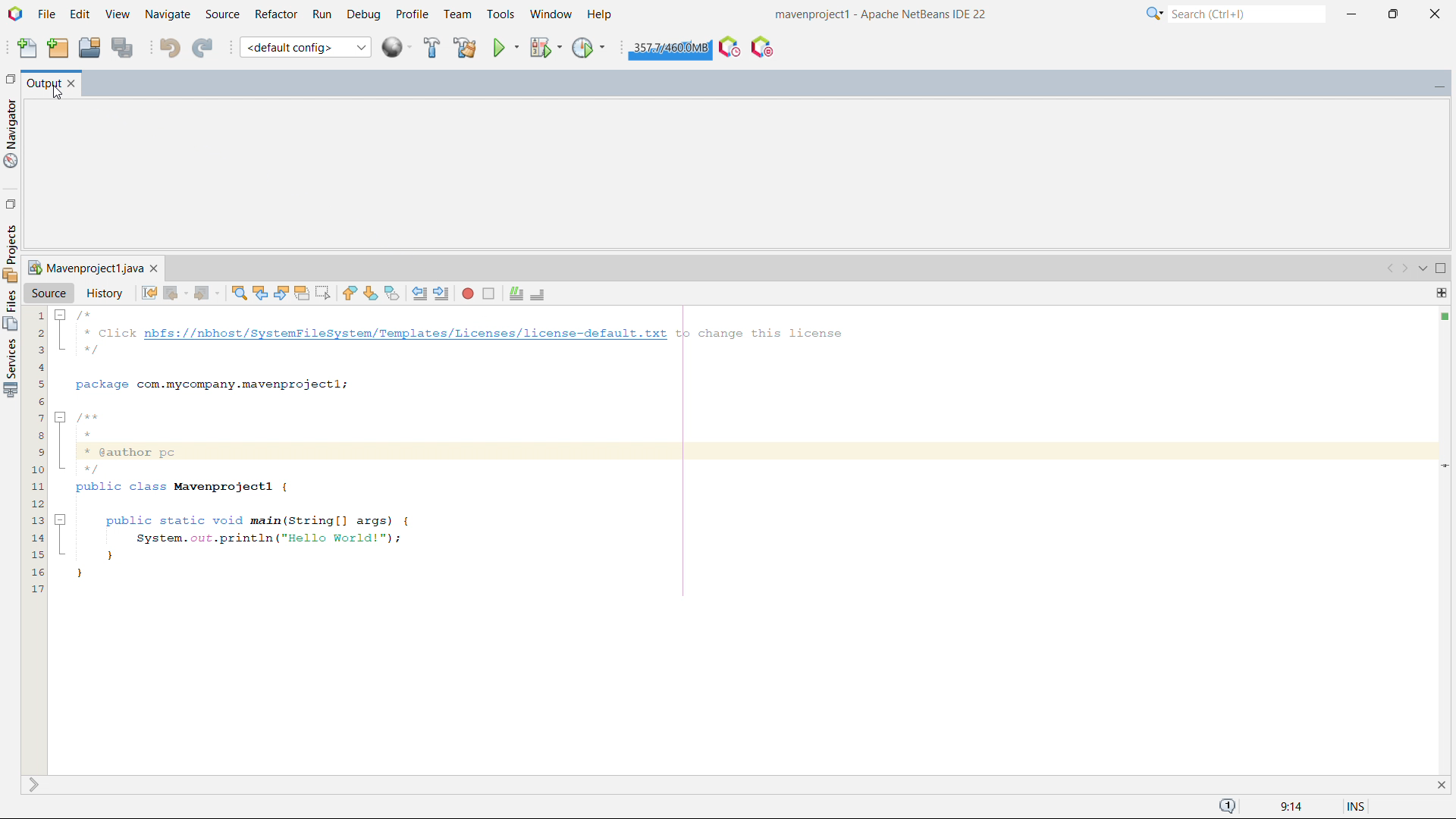 This screenshot has height=819, width=1456. What do you see at coordinates (323, 293) in the screenshot?
I see `toggle rectangular selection` at bounding box center [323, 293].